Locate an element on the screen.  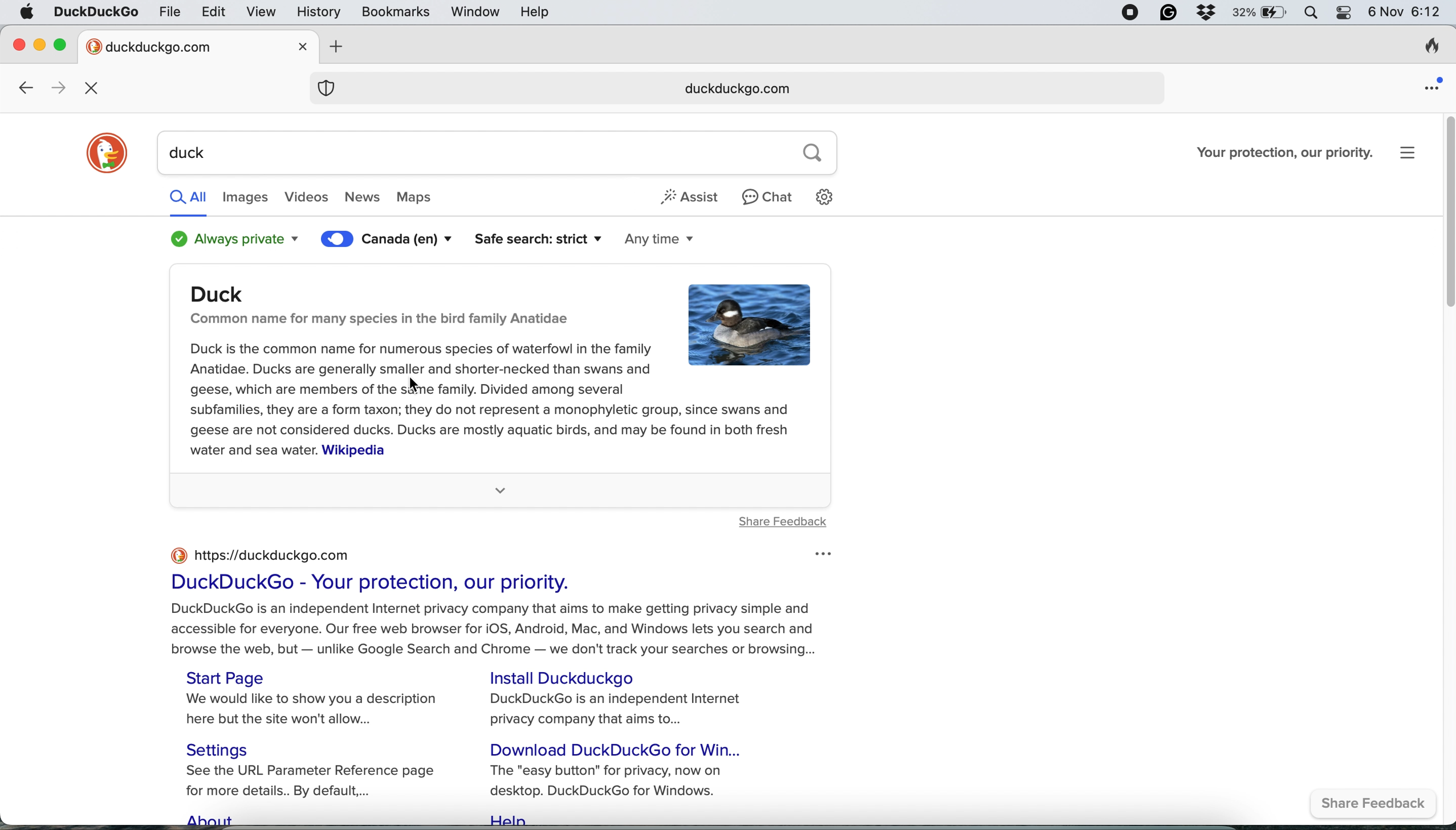
vertical scroll bar is located at coordinates (1444, 214).